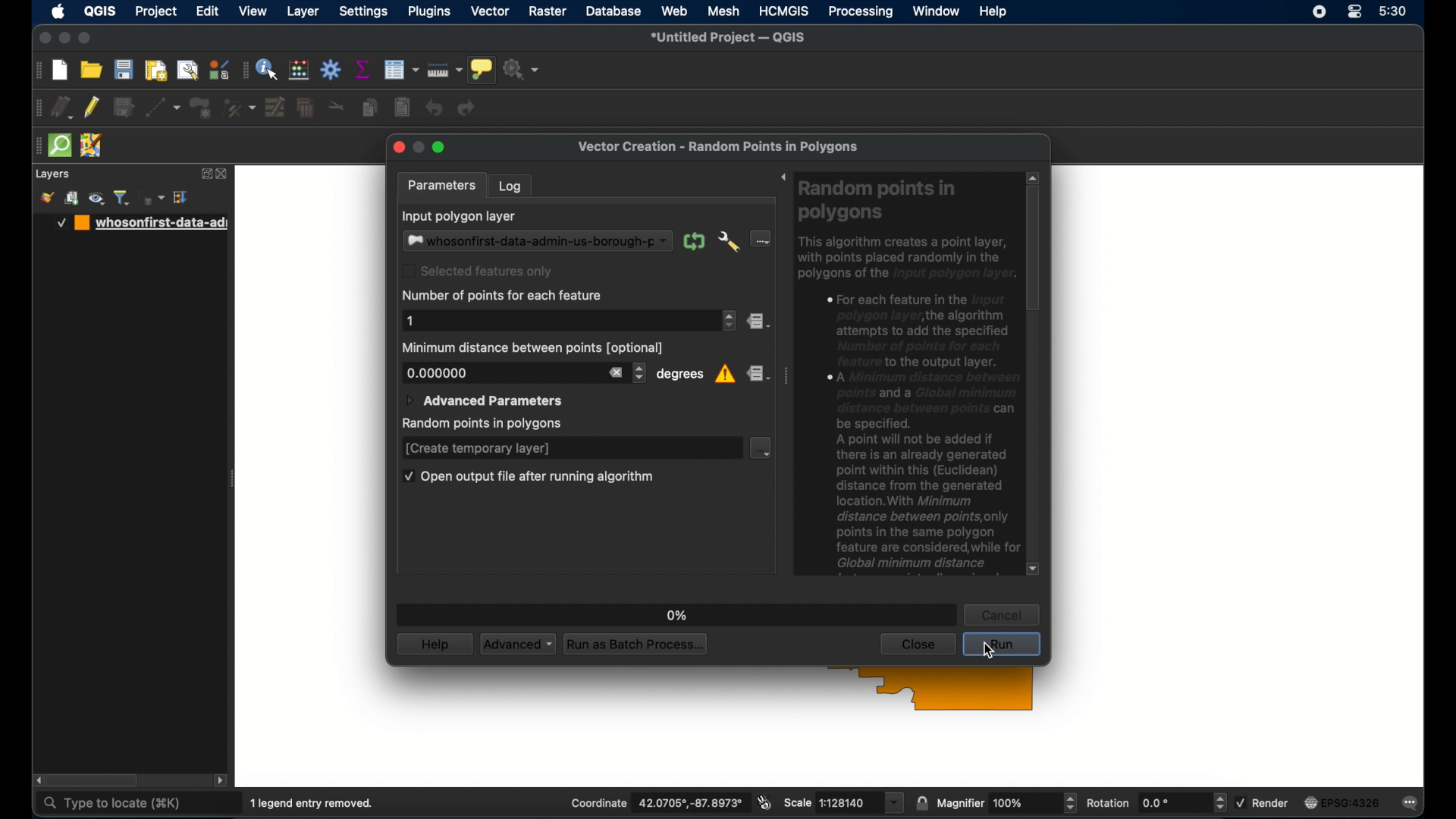 This screenshot has height=819, width=1456. I want to click on vertex tool, so click(239, 106).